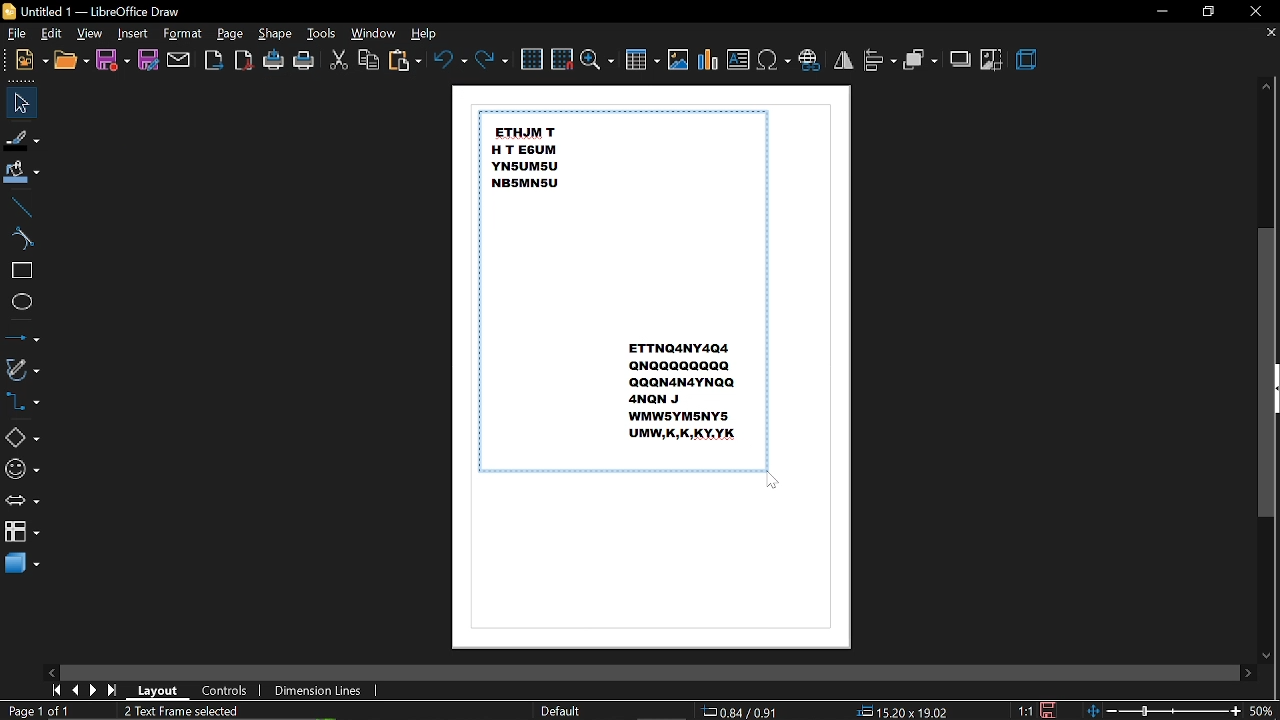 Image resolution: width=1280 pixels, height=720 pixels. I want to click on redo, so click(493, 60).